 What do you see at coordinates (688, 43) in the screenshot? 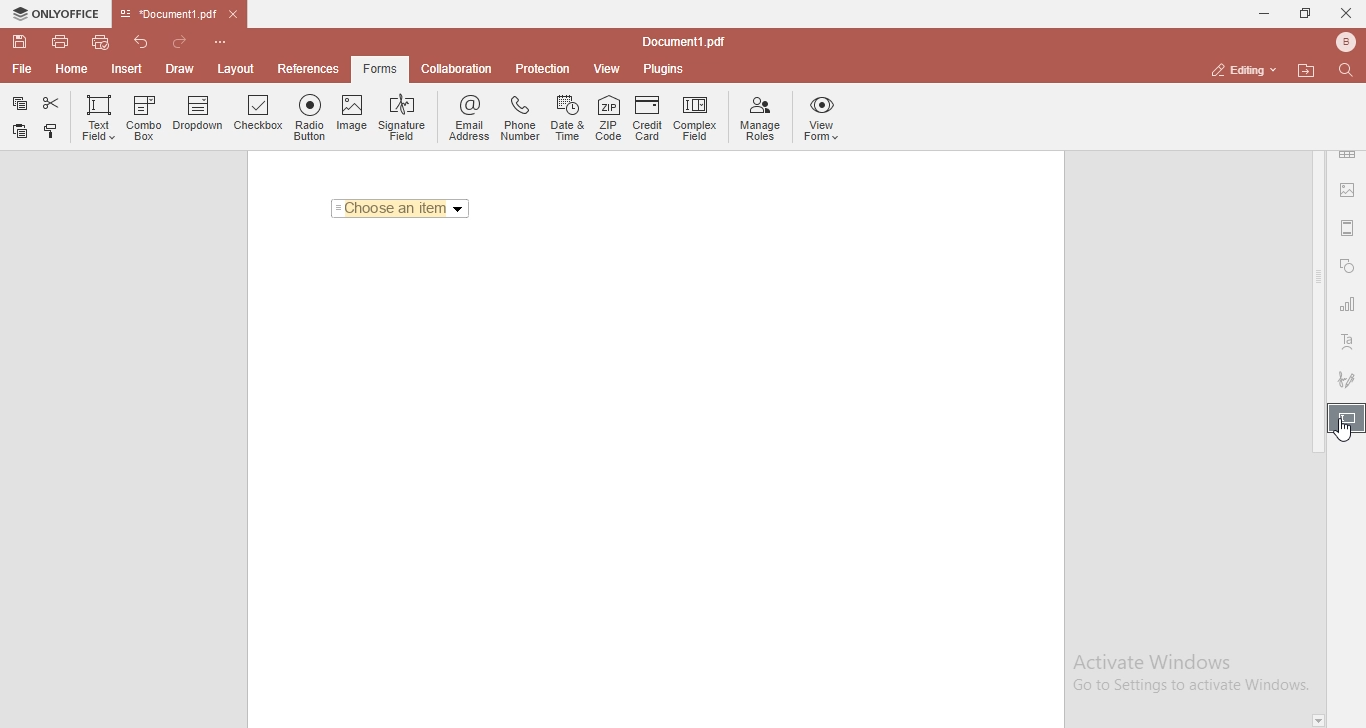
I see `file name` at bounding box center [688, 43].